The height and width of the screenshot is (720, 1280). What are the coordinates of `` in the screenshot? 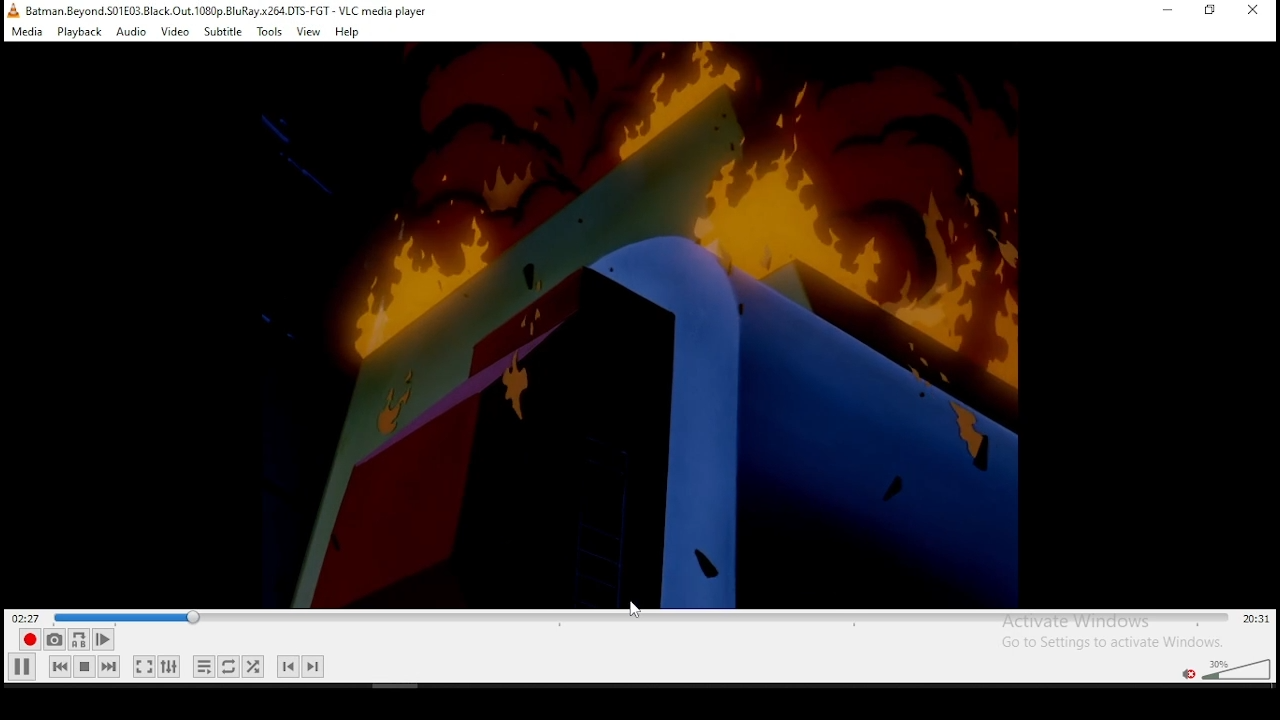 It's located at (646, 324).